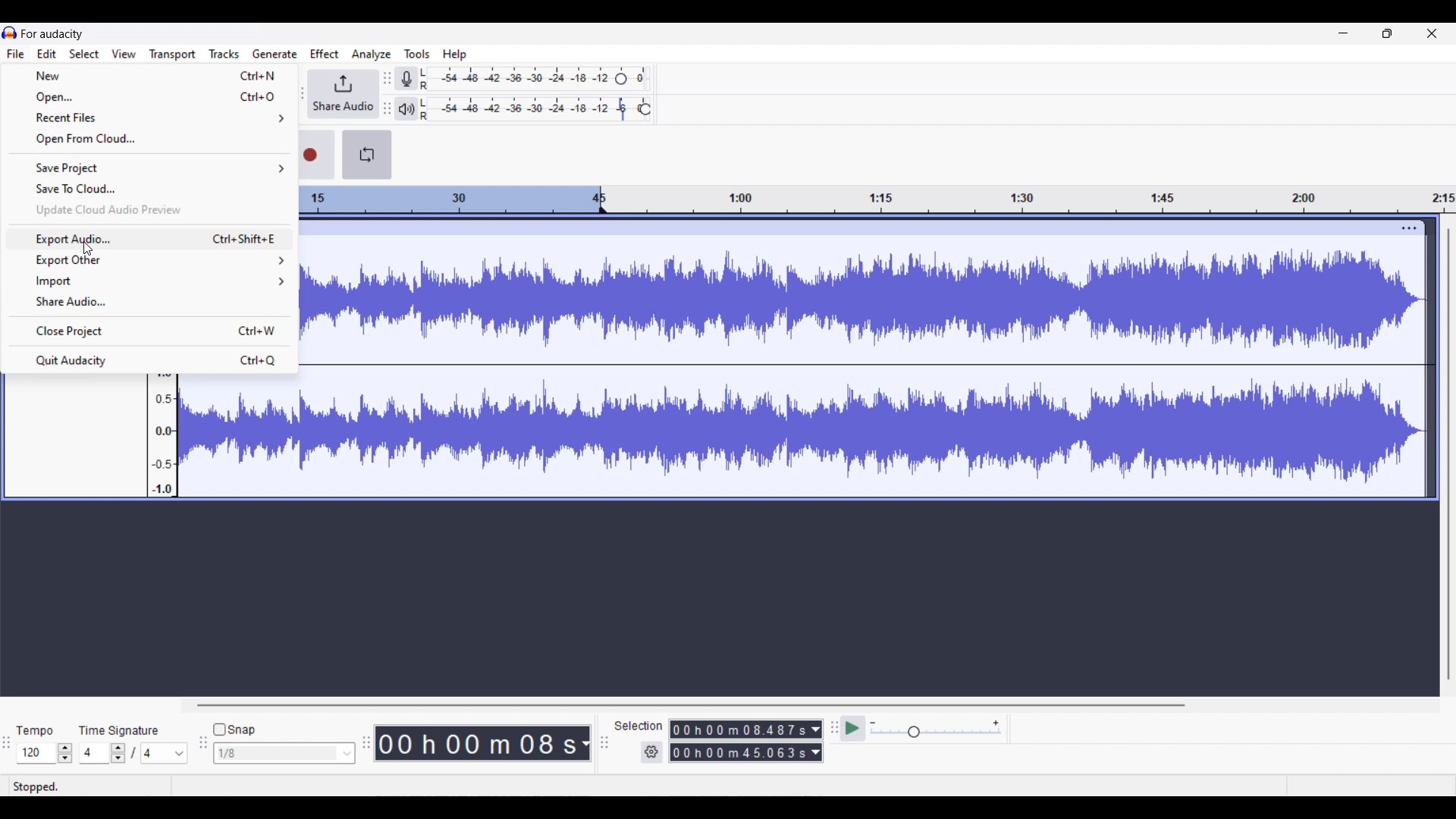 This screenshot has height=819, width=1456. What do you see at coordinates (10, 33) in the screenshot?
I see `Software logo` at bounding box center [10, 33].